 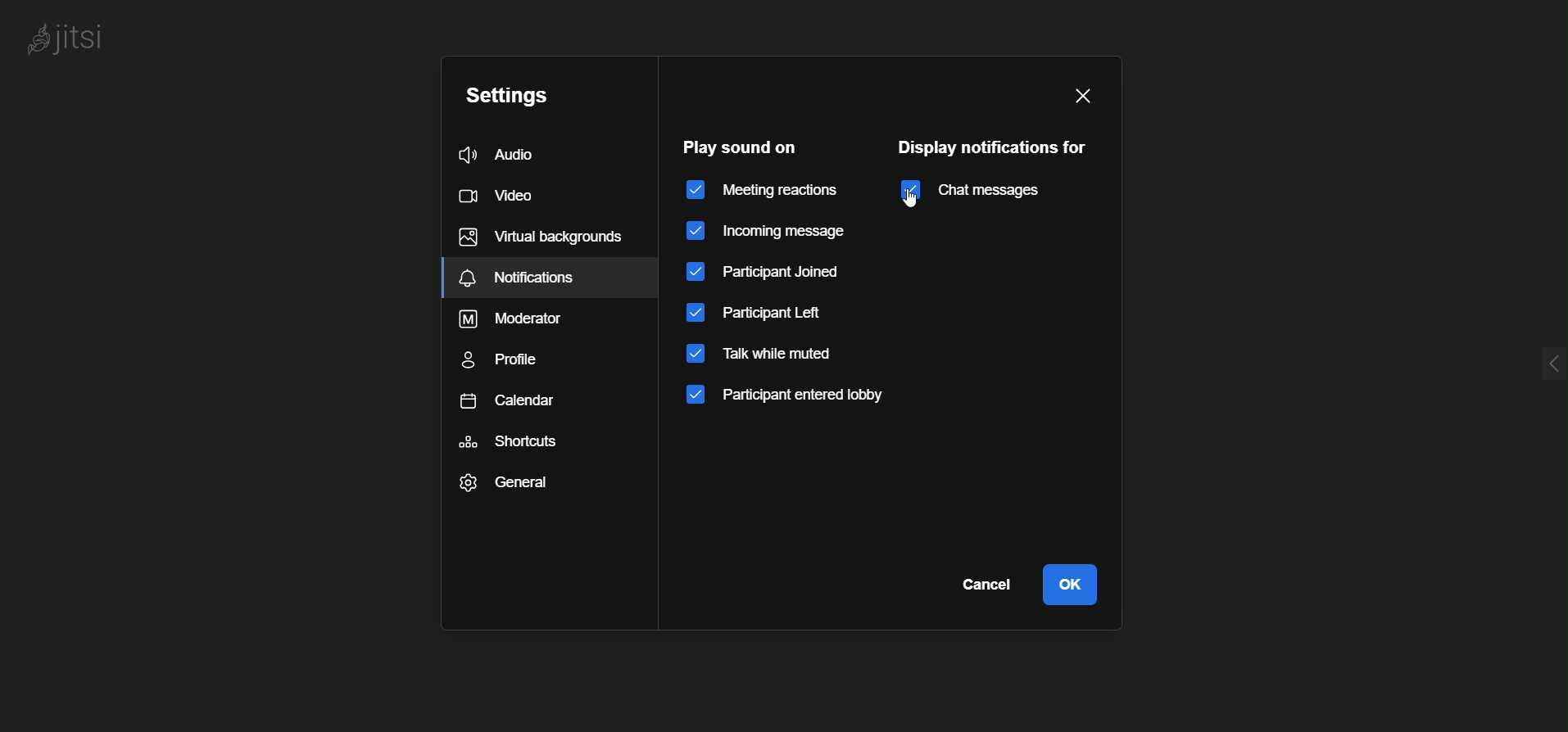 I want to click on expand, so click(x=1523, y=352).